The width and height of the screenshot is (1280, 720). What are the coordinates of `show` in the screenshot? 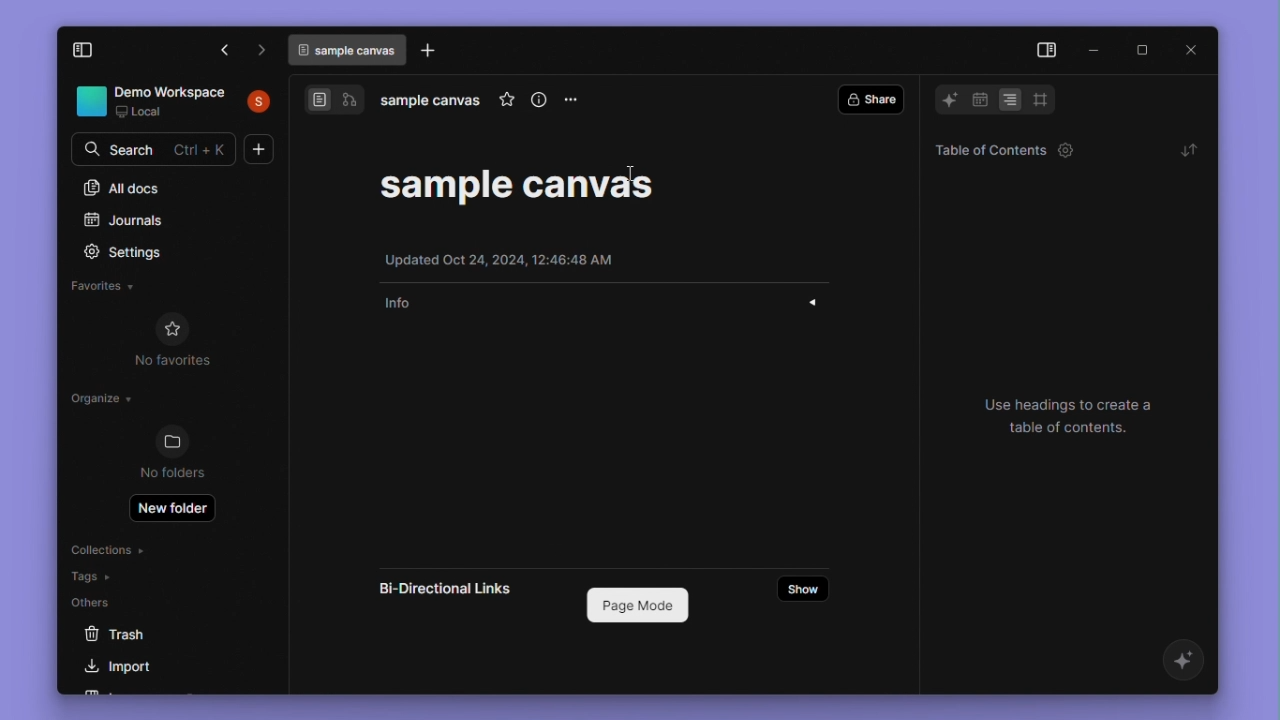 It's located at (803, 588).